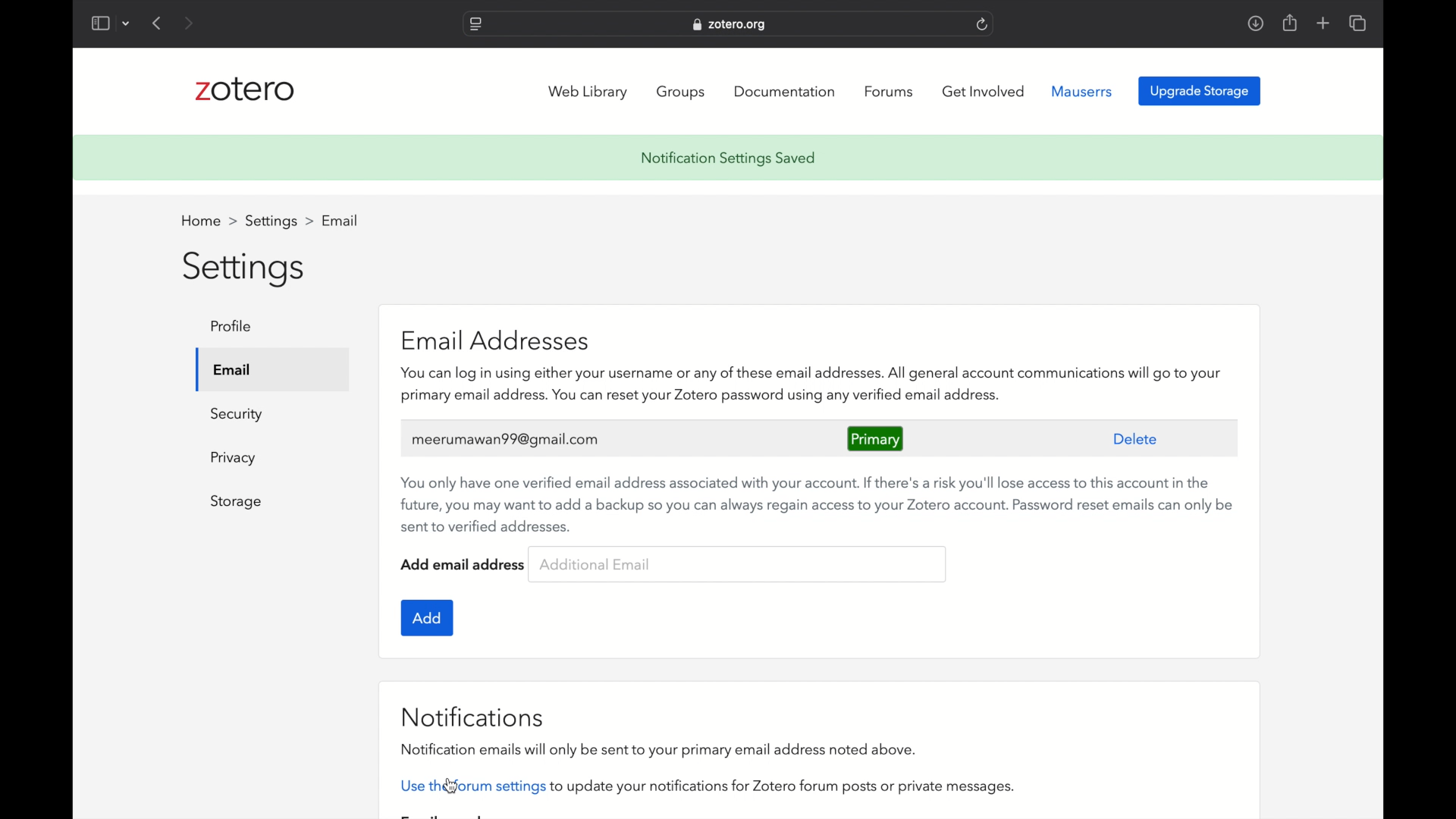  I want to click on zotero, so click(244, 89).